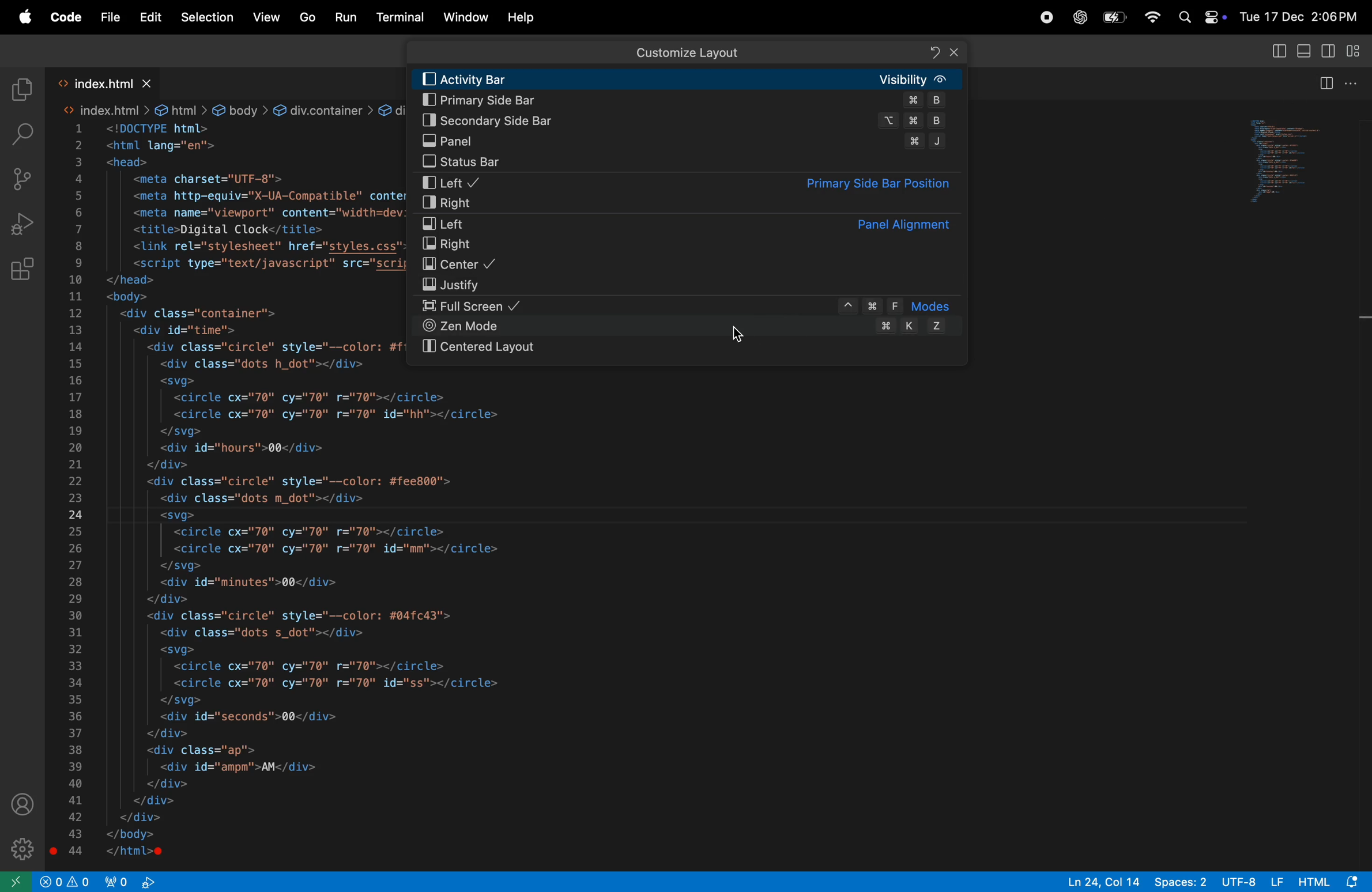 Image resolution: width=1372 pixels, height=892 pixels. I want to click on run, so click(346, 16).